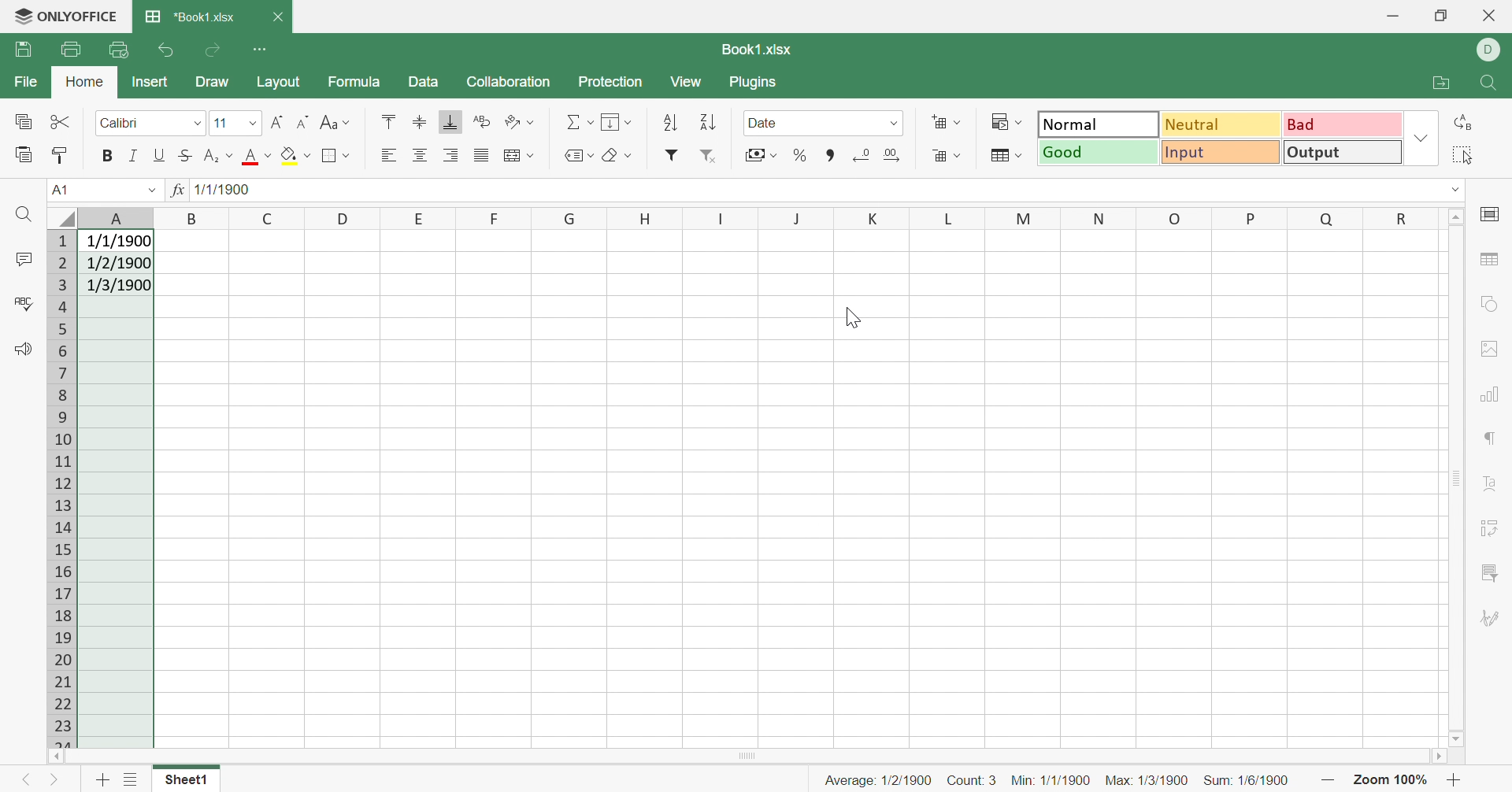 Image resolution: width=1512 pixels, height=792 pixels. Describe the element at coordinates (521, 124) in the screenshot. I see `Orientation` at that location.